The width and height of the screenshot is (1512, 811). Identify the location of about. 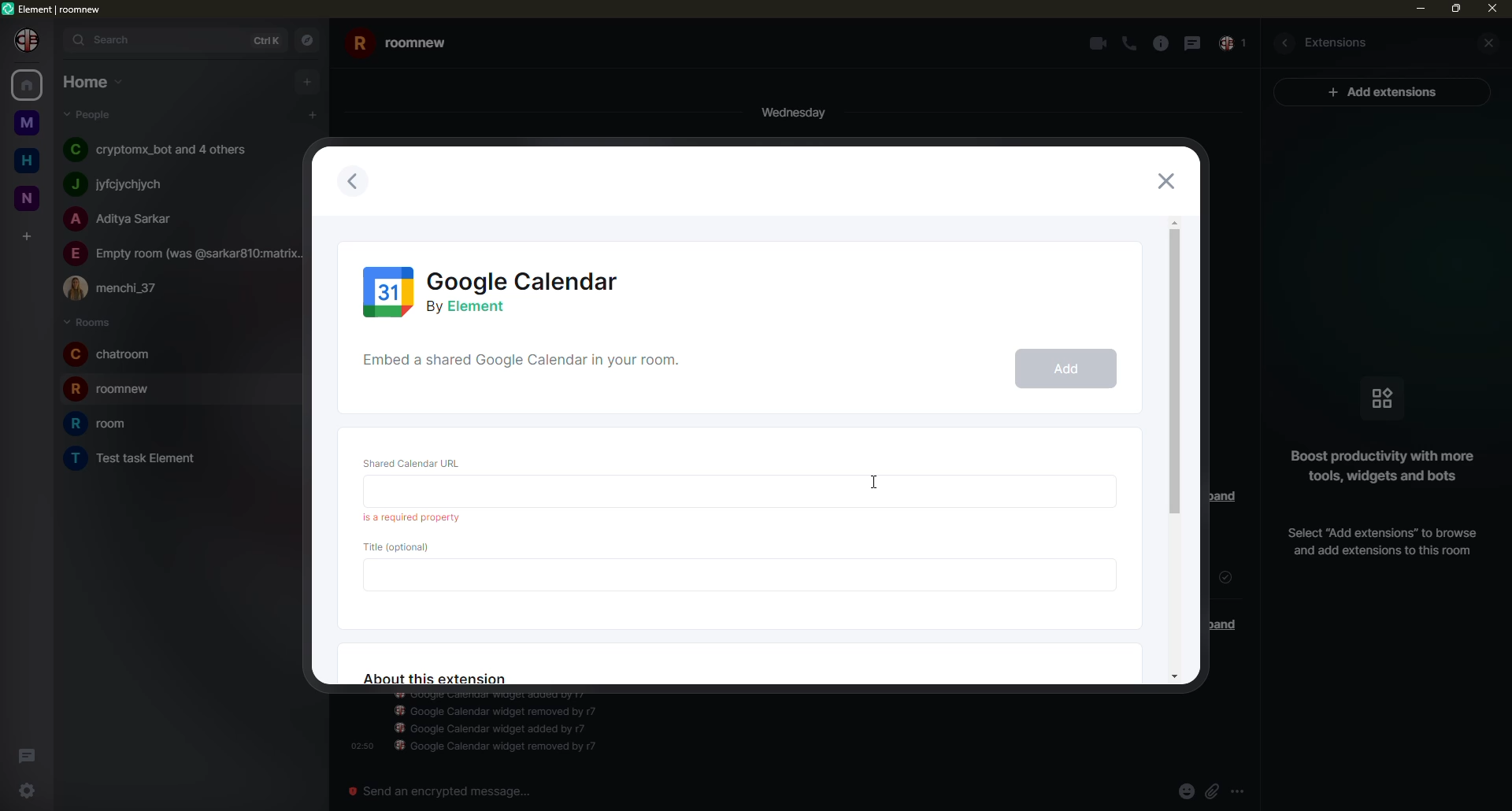
(435, 679).